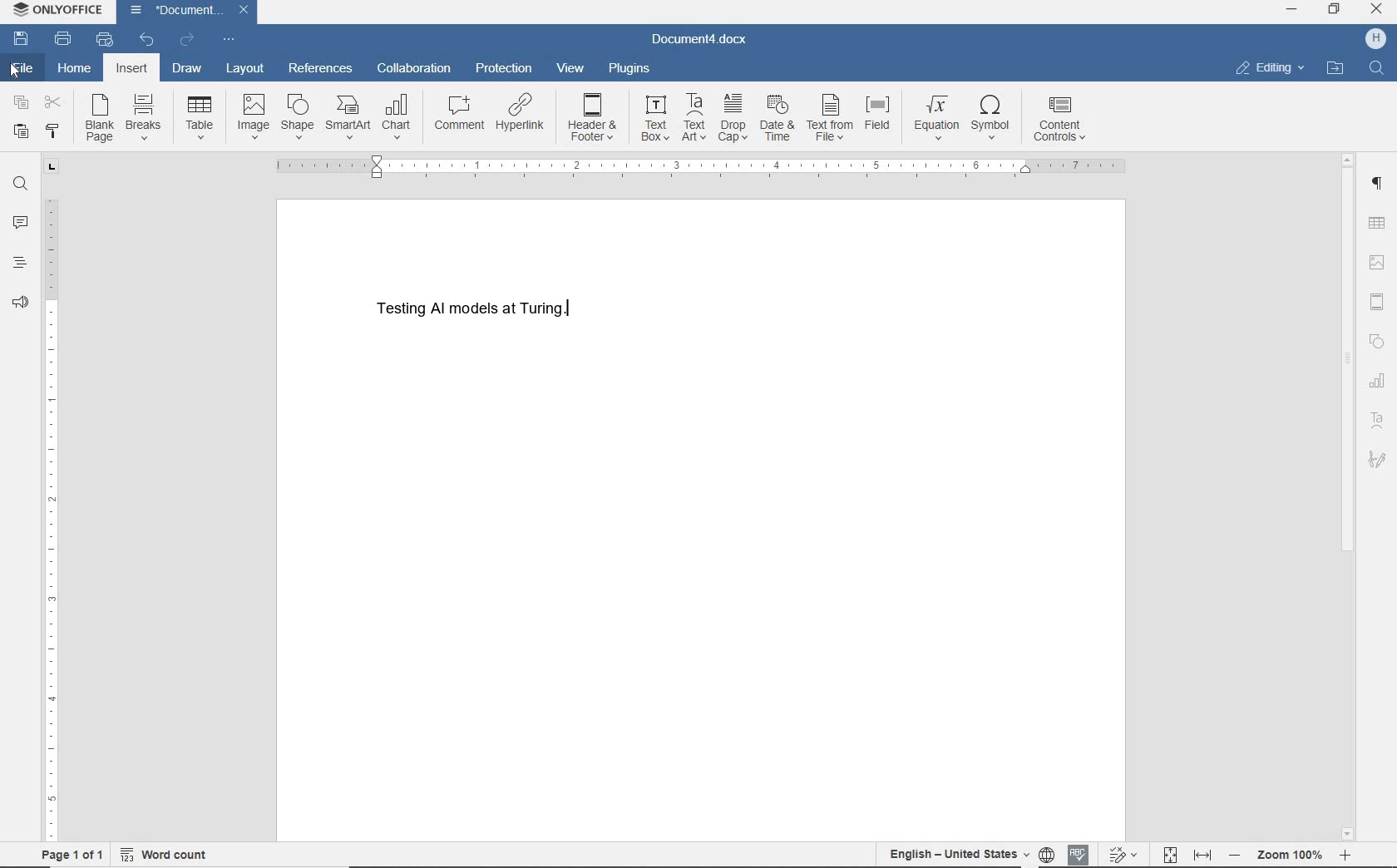  Describe the element at coordinates (570, 67) in the screenshot. I see `view` at that location.